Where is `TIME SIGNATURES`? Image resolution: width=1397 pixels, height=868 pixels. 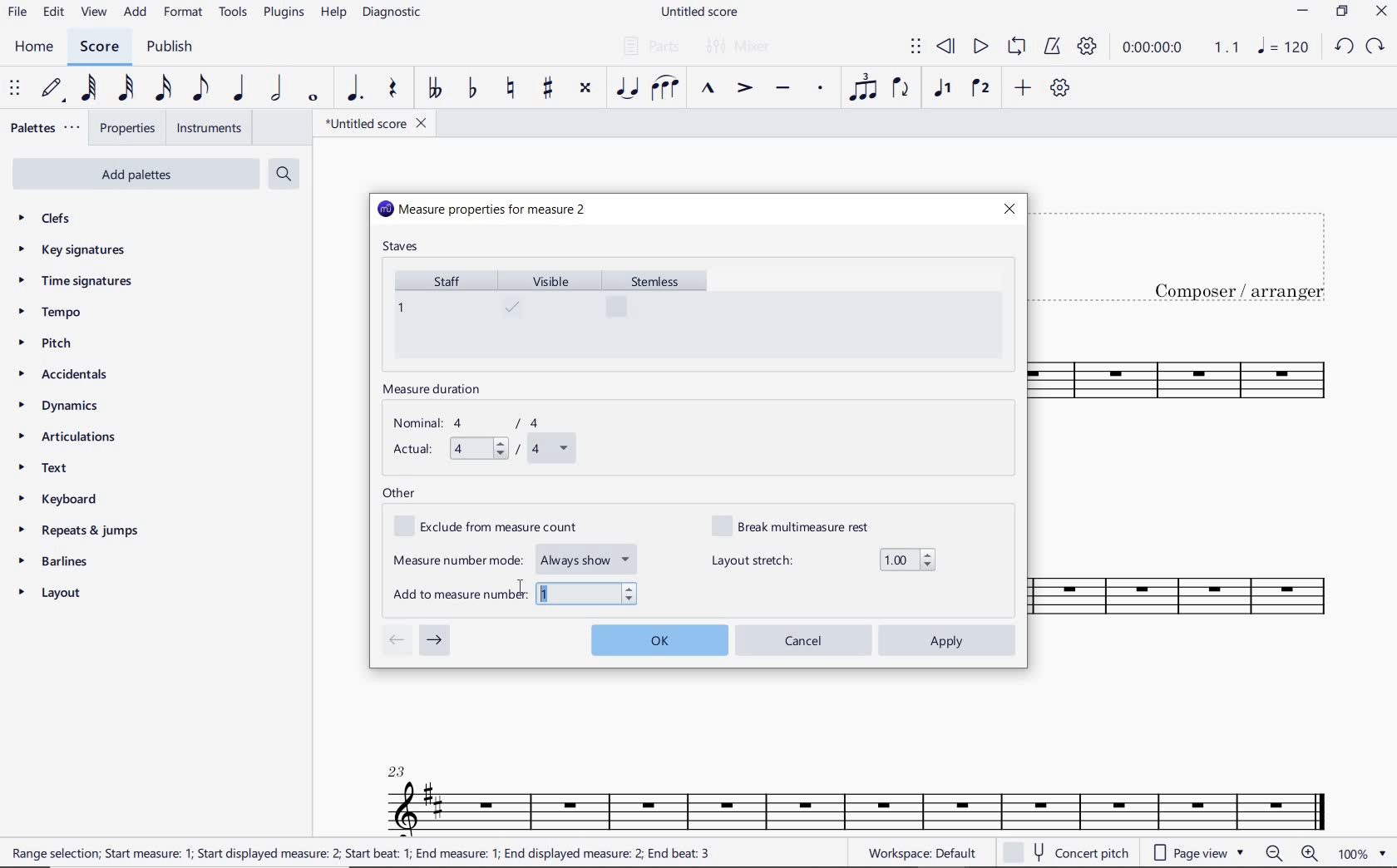 TIME SIGNATURES is located at coordinates (77, 282).